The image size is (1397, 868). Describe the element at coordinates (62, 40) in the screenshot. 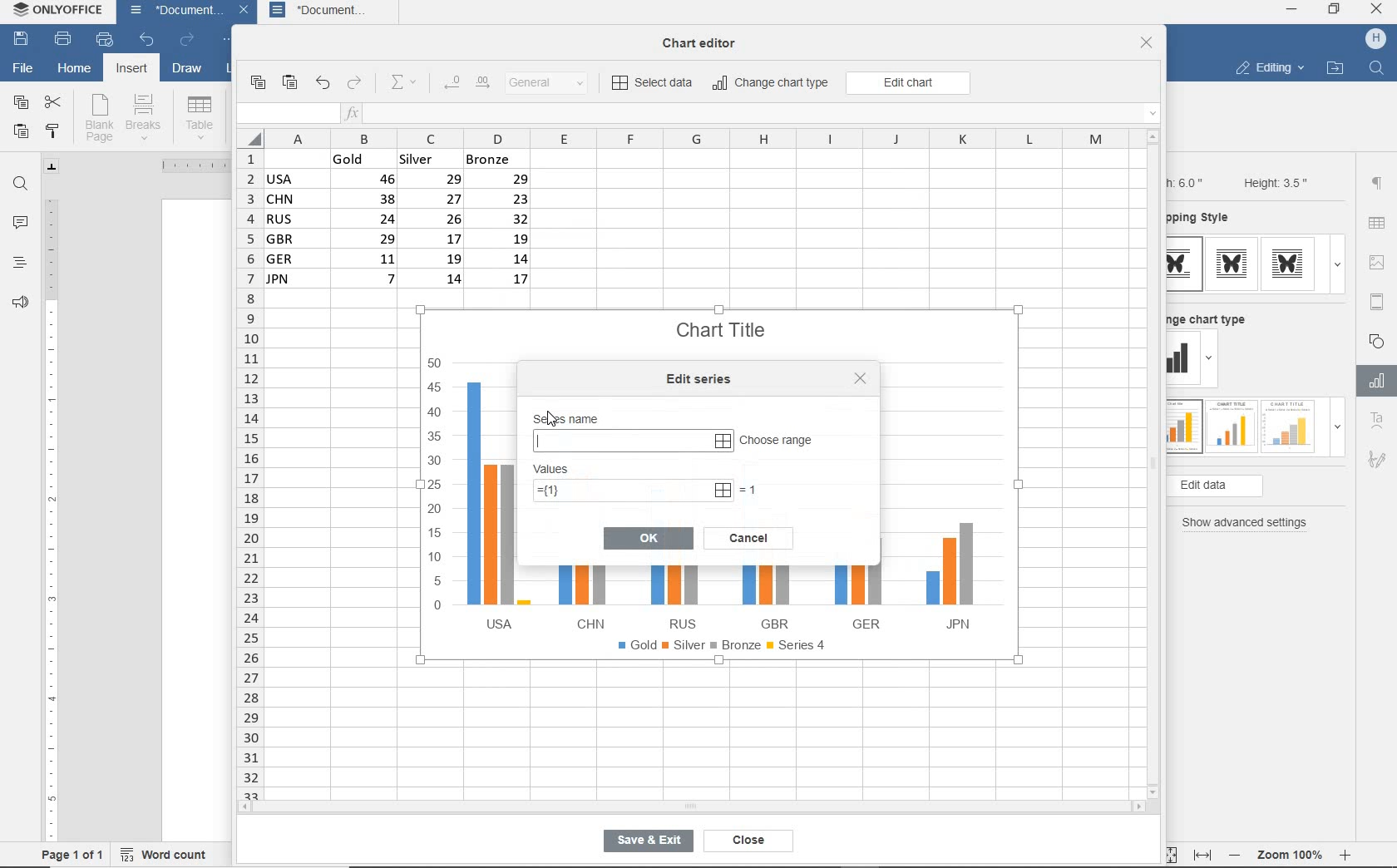

I see `print` at that location.